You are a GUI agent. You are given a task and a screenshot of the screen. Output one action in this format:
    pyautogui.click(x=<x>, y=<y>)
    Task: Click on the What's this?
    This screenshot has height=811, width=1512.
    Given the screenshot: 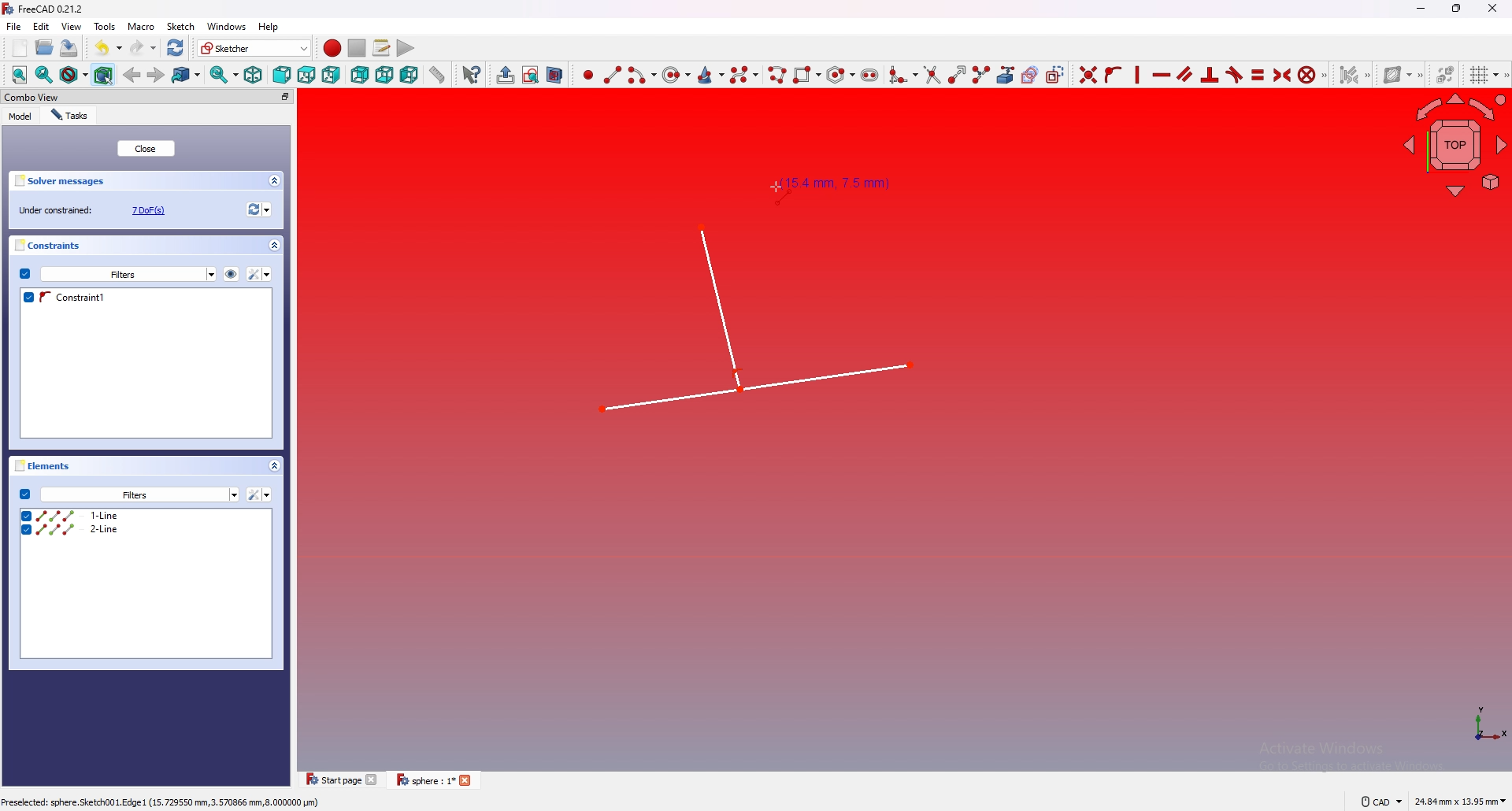 What is the action you would take?
    pyautogui.click(x=470, y=74)
    